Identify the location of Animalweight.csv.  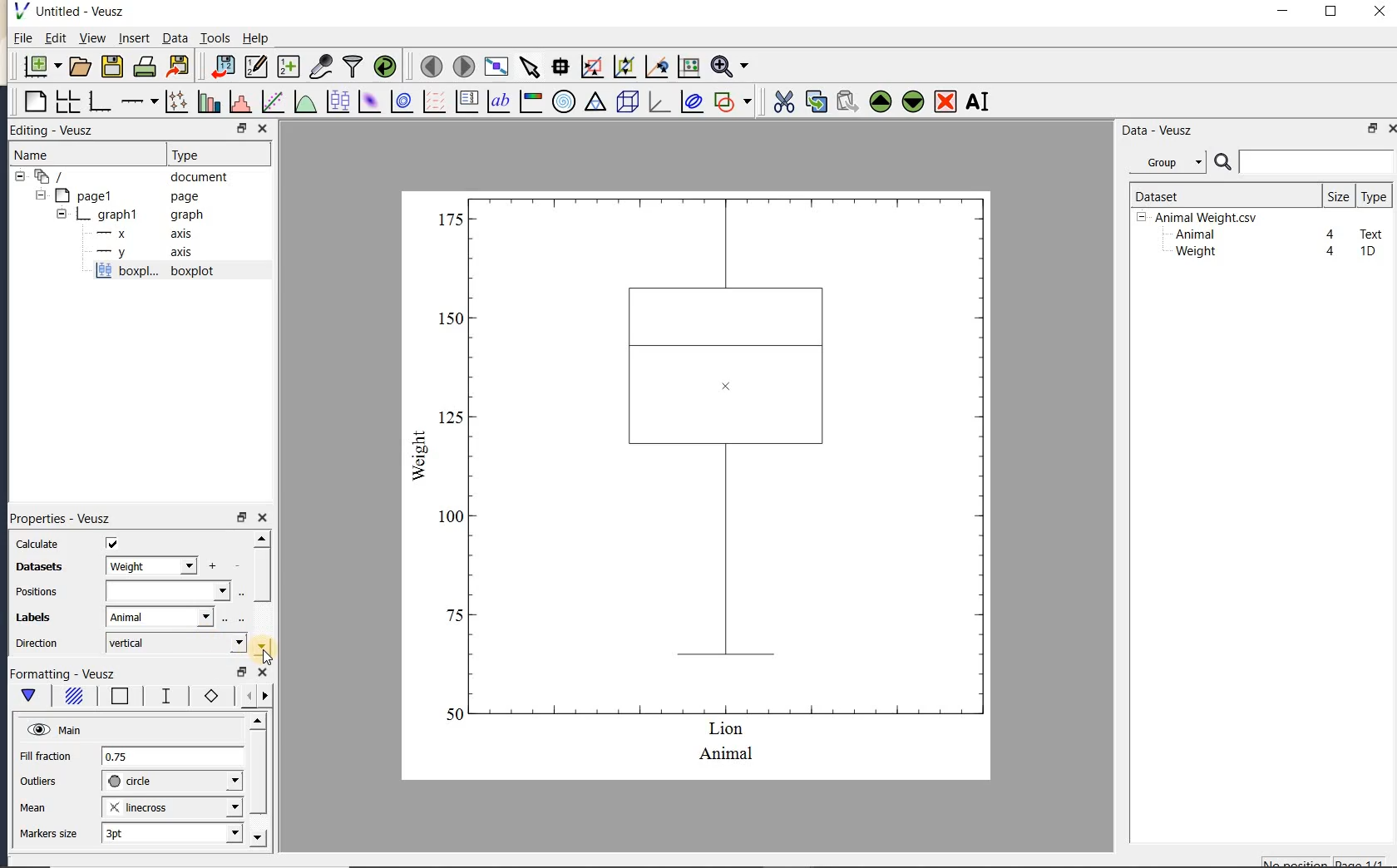
(1201, 218).